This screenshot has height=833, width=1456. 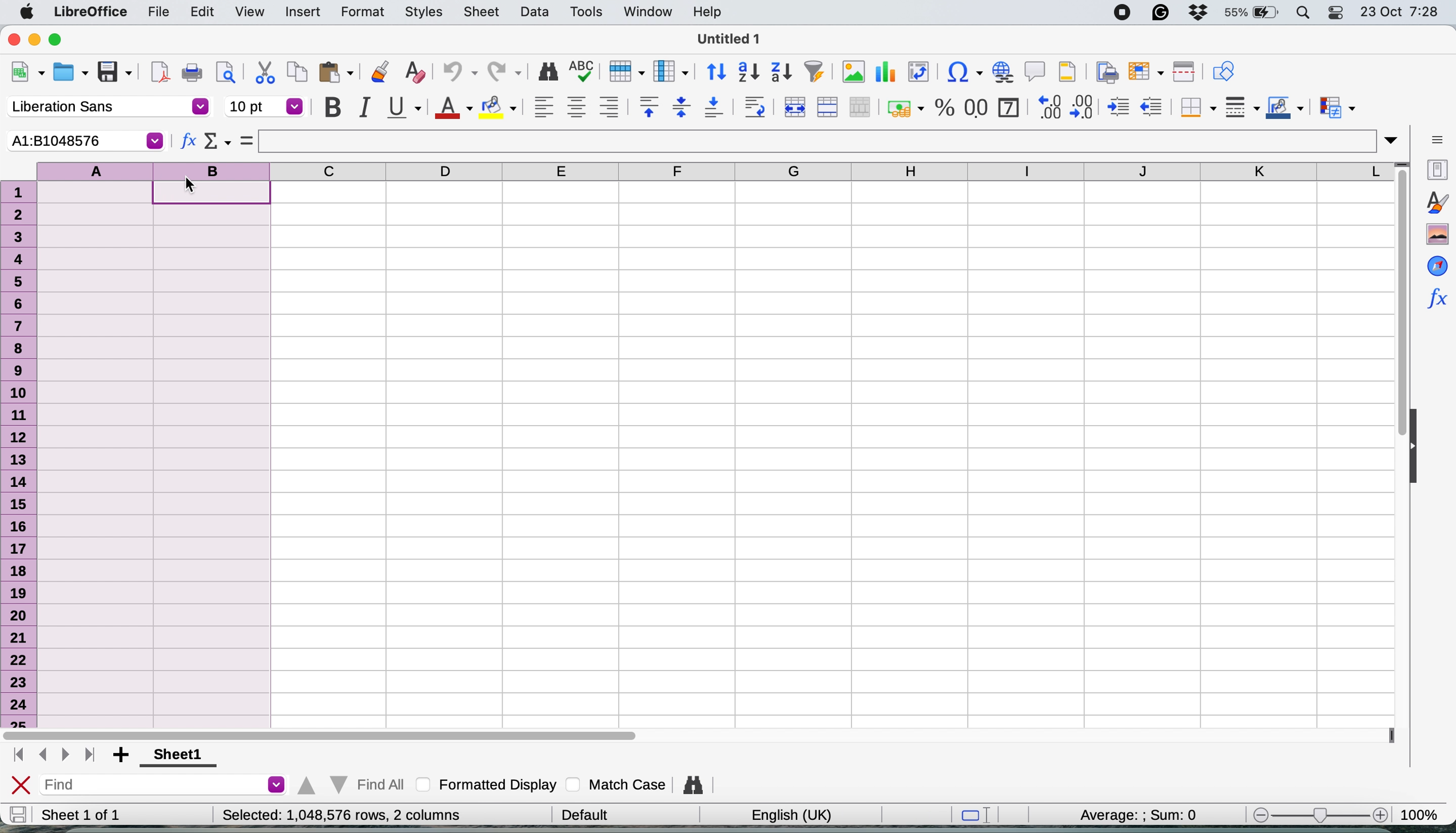 What do you see at coordinates (262, 73) in the screenshot?
I see `cut` at bounding box center [262, 73].